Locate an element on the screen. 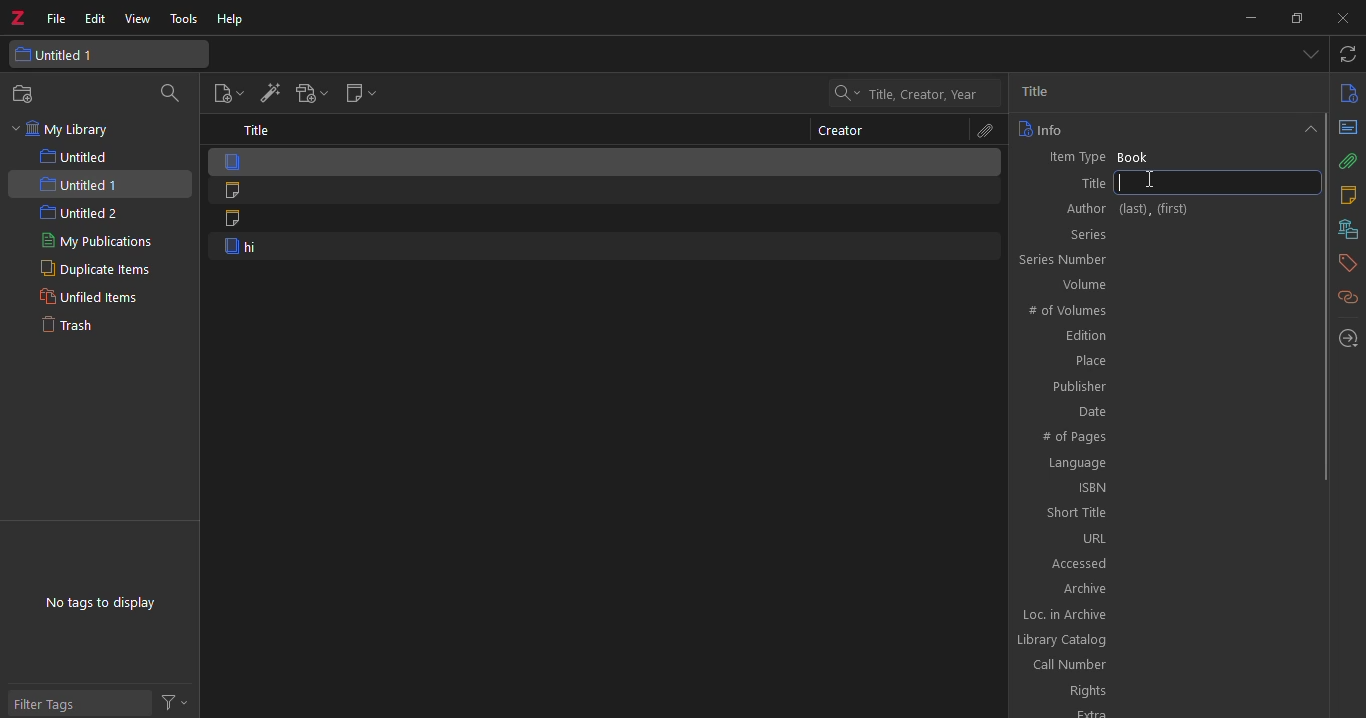 The image size is (1366, 718). attach is located at coordinates (1349, 161).